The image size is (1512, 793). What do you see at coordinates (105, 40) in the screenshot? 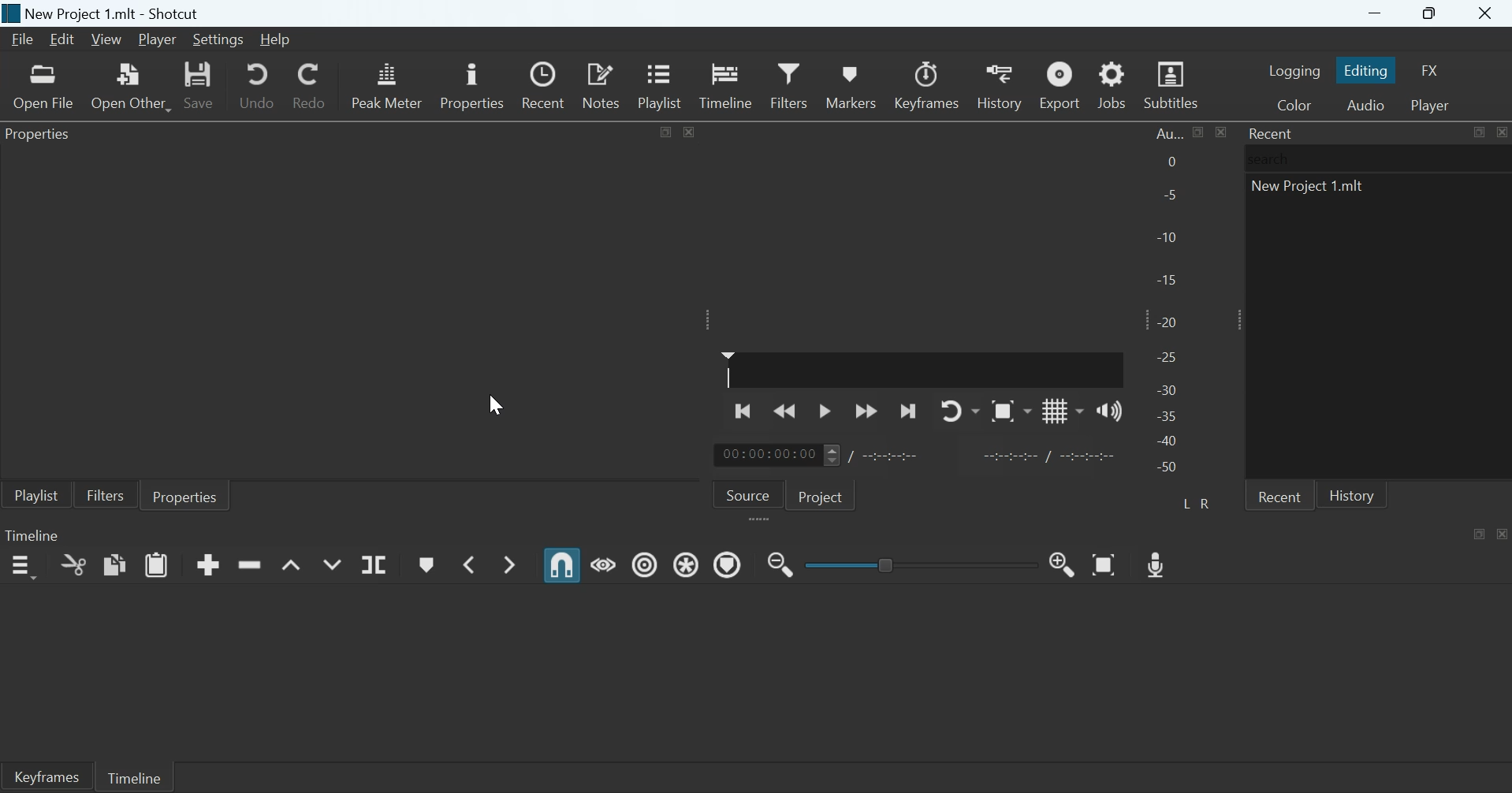
I see `View` at bounding box center [105, 40].